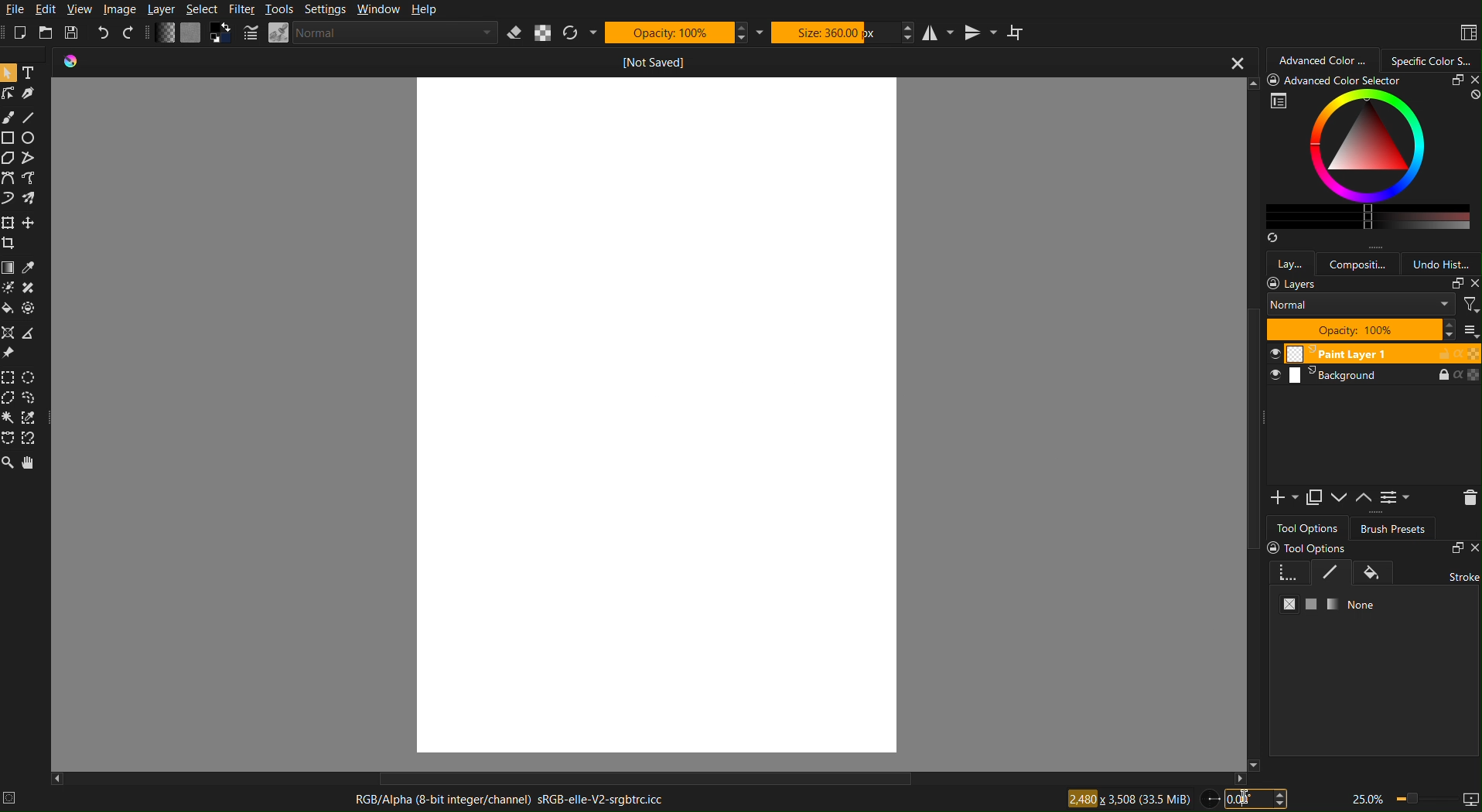 This screenshot has height=812, width=1482. What do you see at coordinates (1284, 498) in the screenshot?
I see `Add Layer` at bounding box center [1284, 498].